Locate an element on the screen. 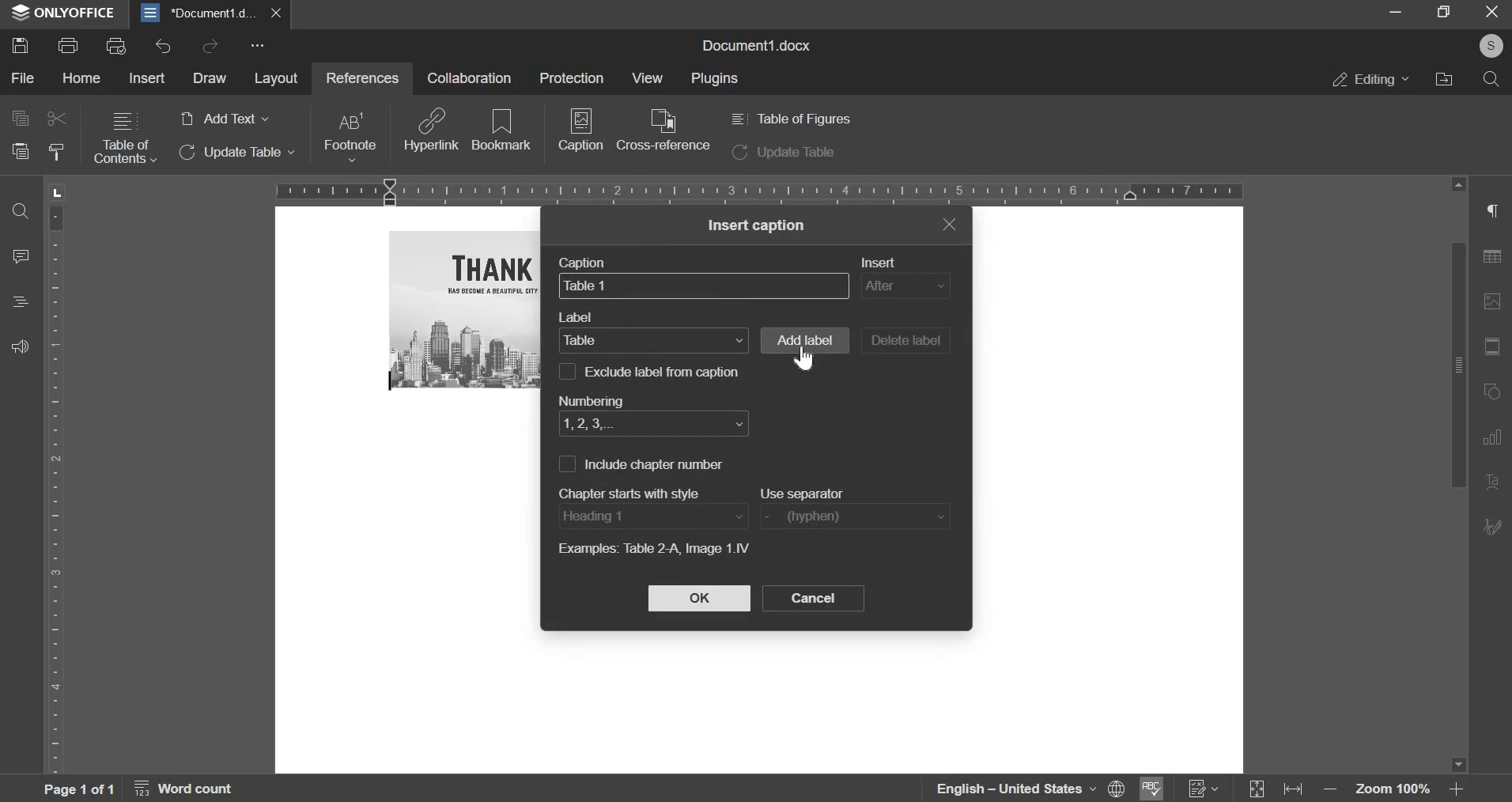 This screenshot has width=1512, height=802. delete label is located at coordinates (905, 341).